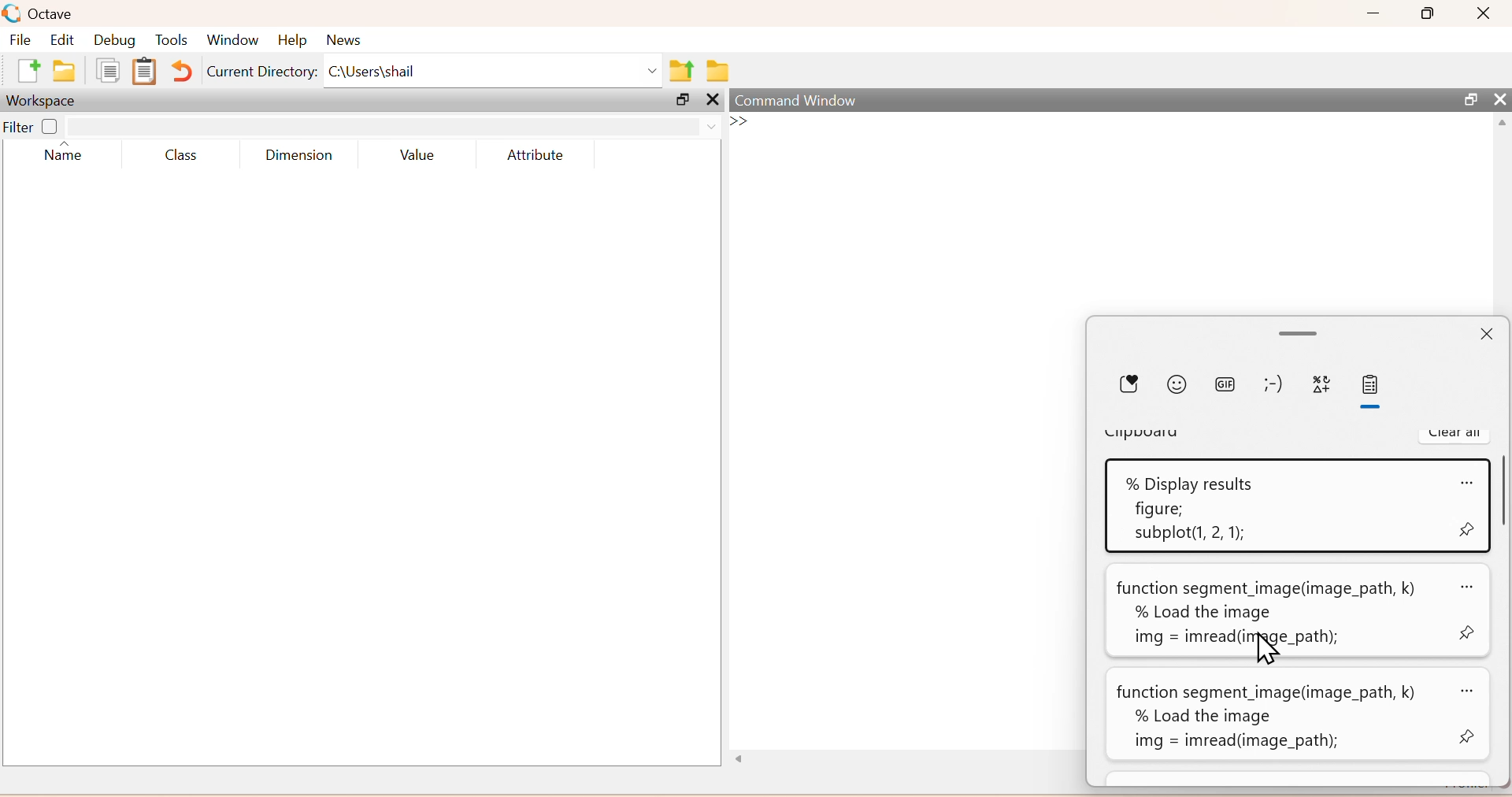 This screenshot has height=797, width=1512. I want to click on open an existing file in directory, so click(69, 71).